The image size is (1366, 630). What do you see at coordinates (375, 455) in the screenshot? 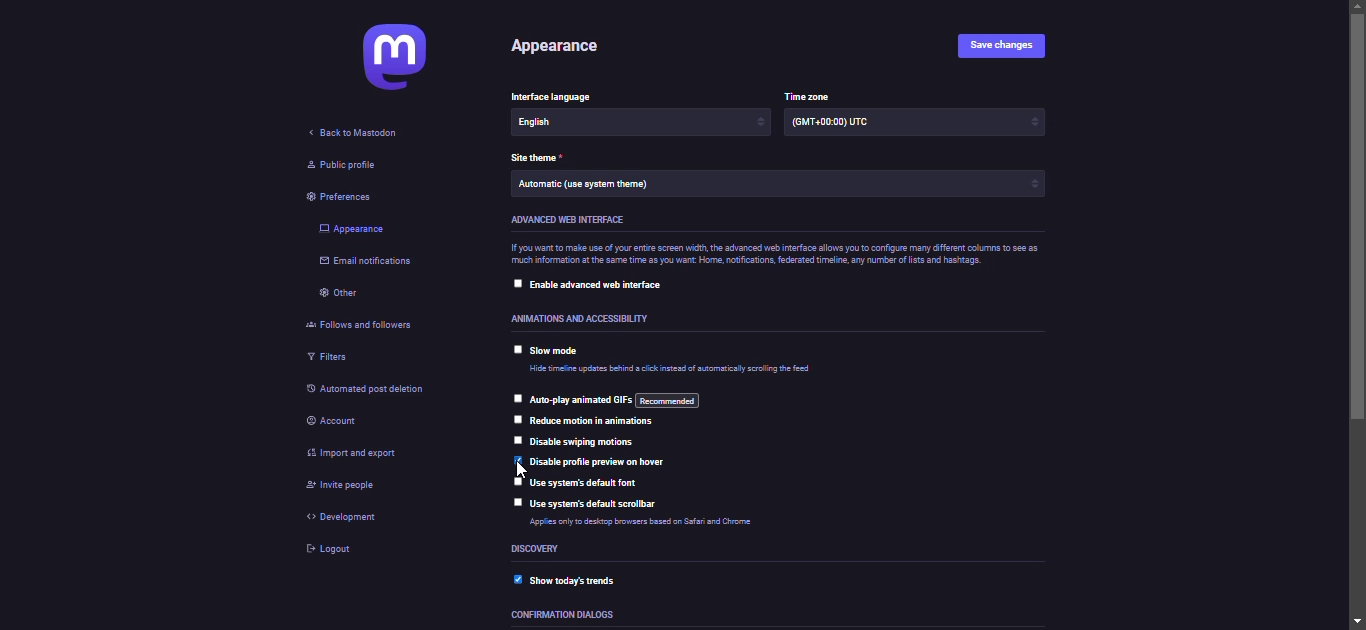
I see `import & export` at bounding box center [375, 455].